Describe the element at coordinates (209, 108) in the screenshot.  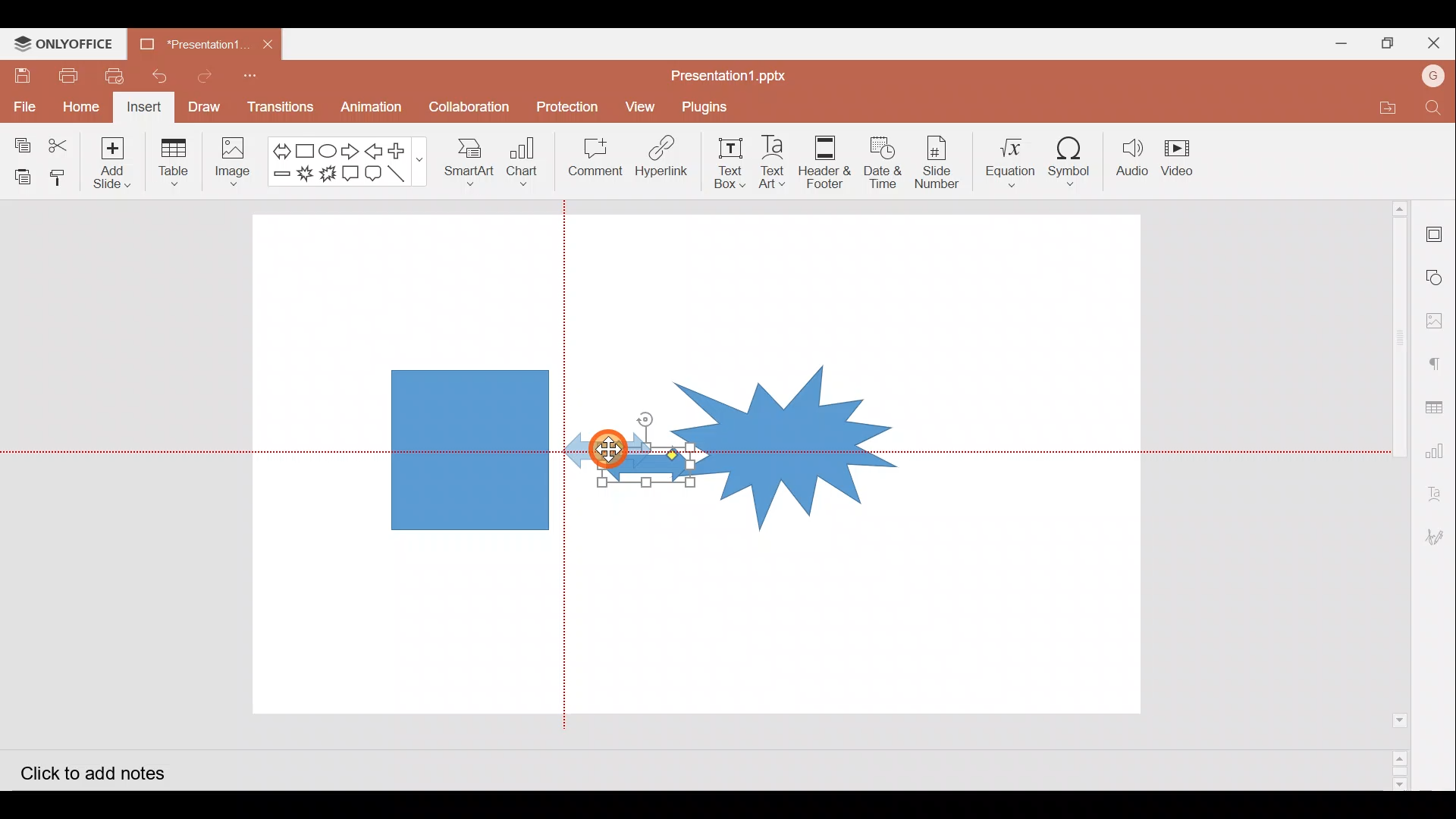
I see `Draw` at that location.